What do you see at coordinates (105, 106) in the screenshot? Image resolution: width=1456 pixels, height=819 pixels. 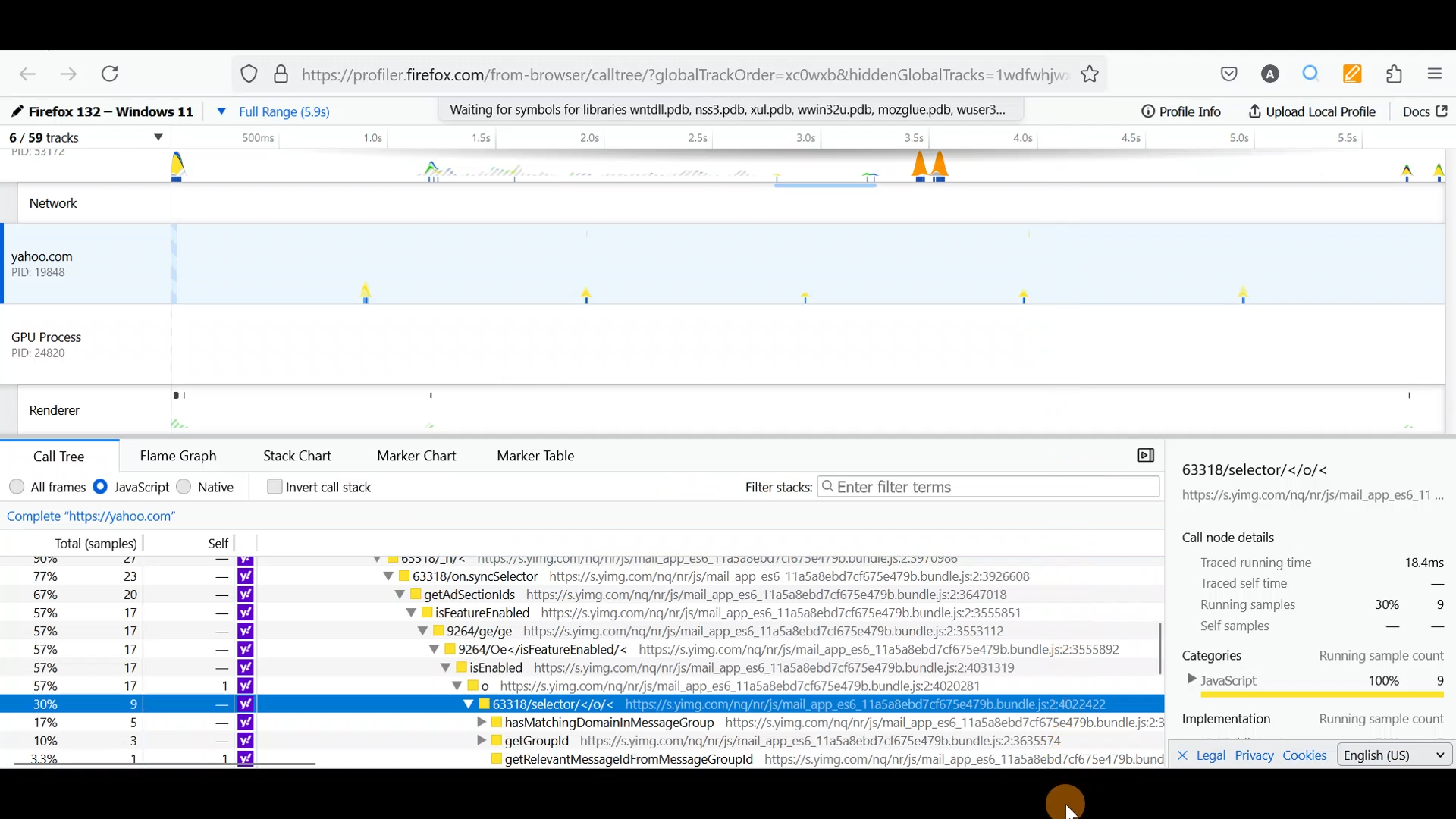 I see `Bookmark 1` at bounding box center [105, 106].